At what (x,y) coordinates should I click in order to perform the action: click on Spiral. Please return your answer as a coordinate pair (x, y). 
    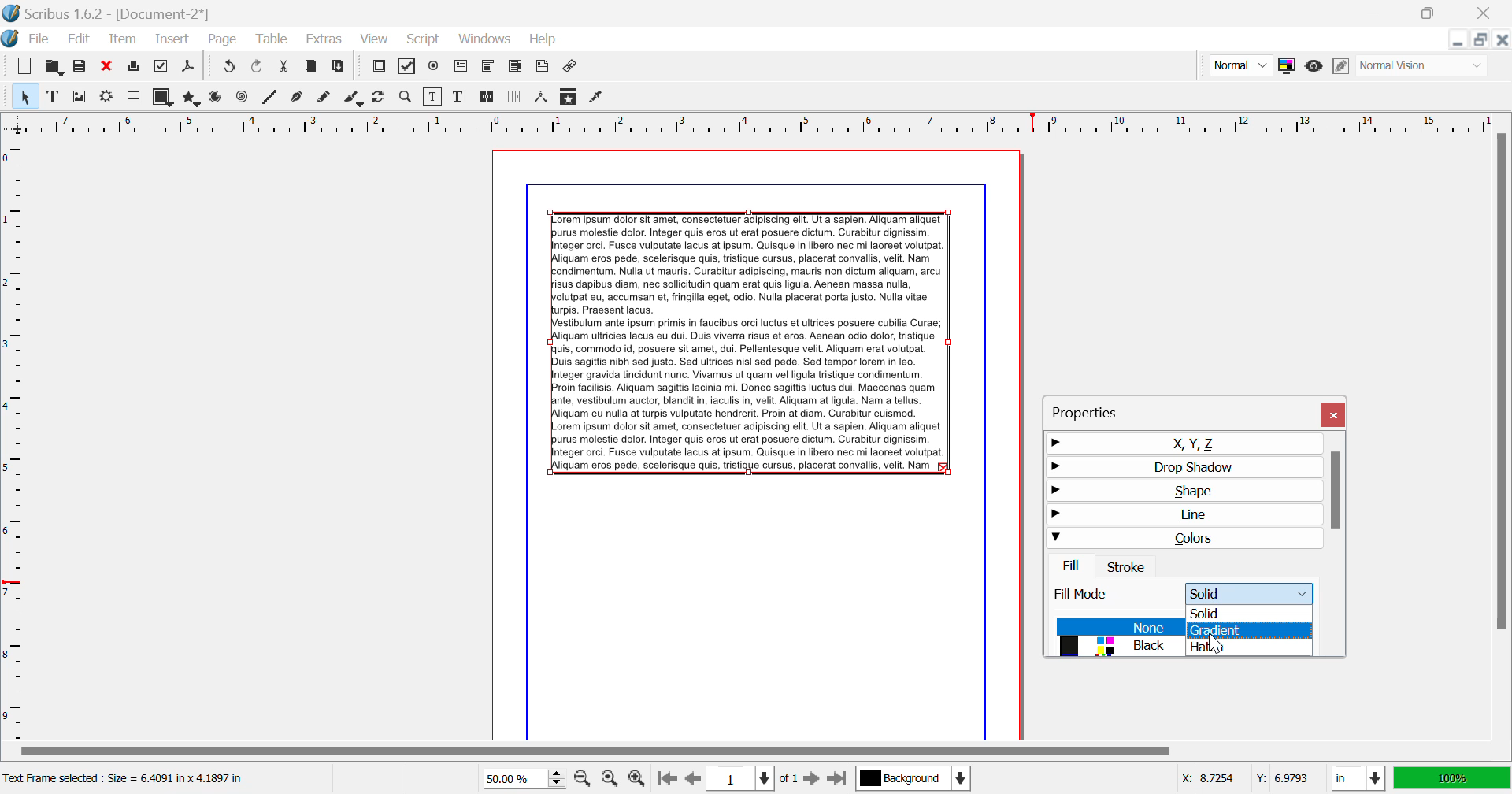
    Looking at the image, I should click on (242, 98).